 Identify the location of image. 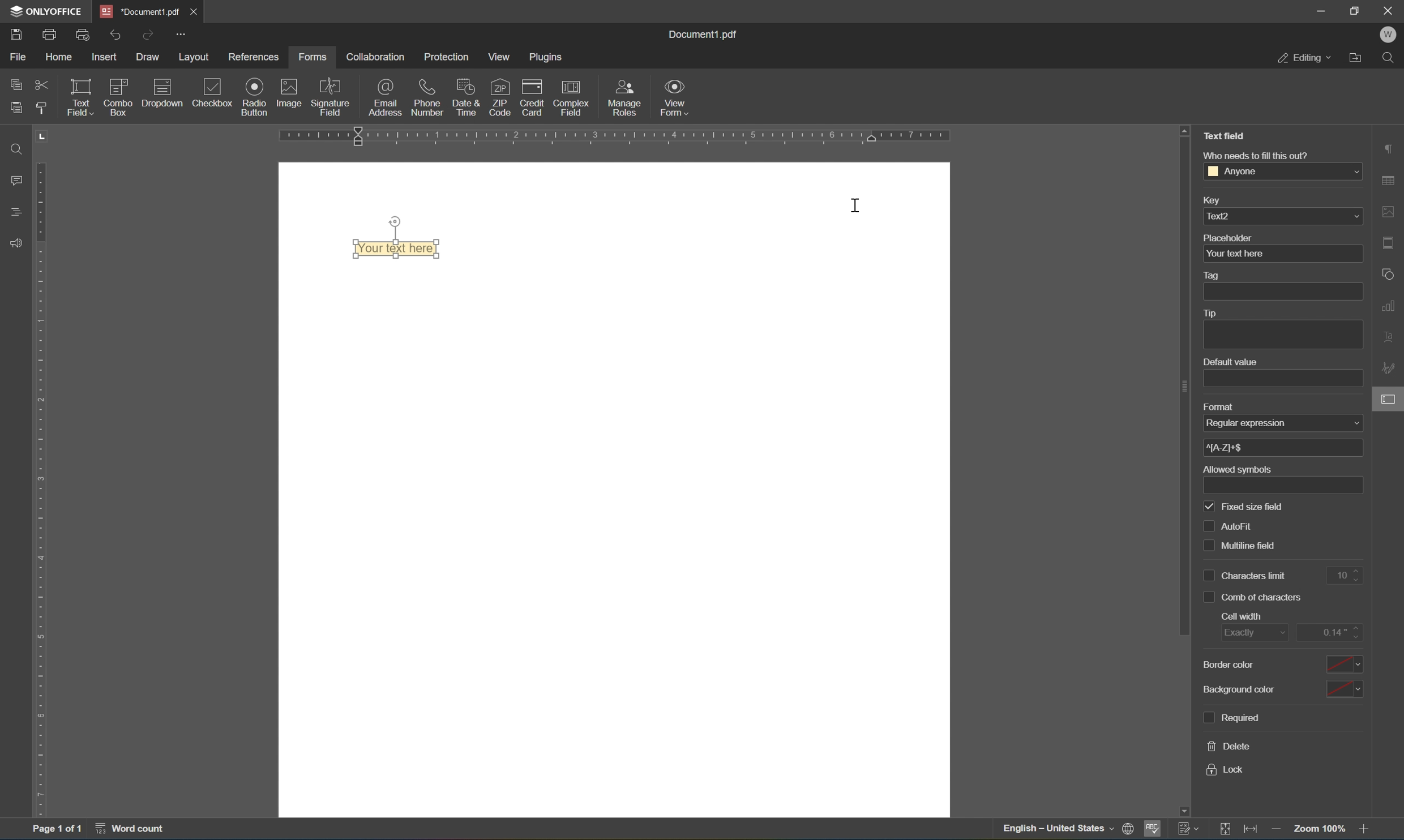
(292, 94).